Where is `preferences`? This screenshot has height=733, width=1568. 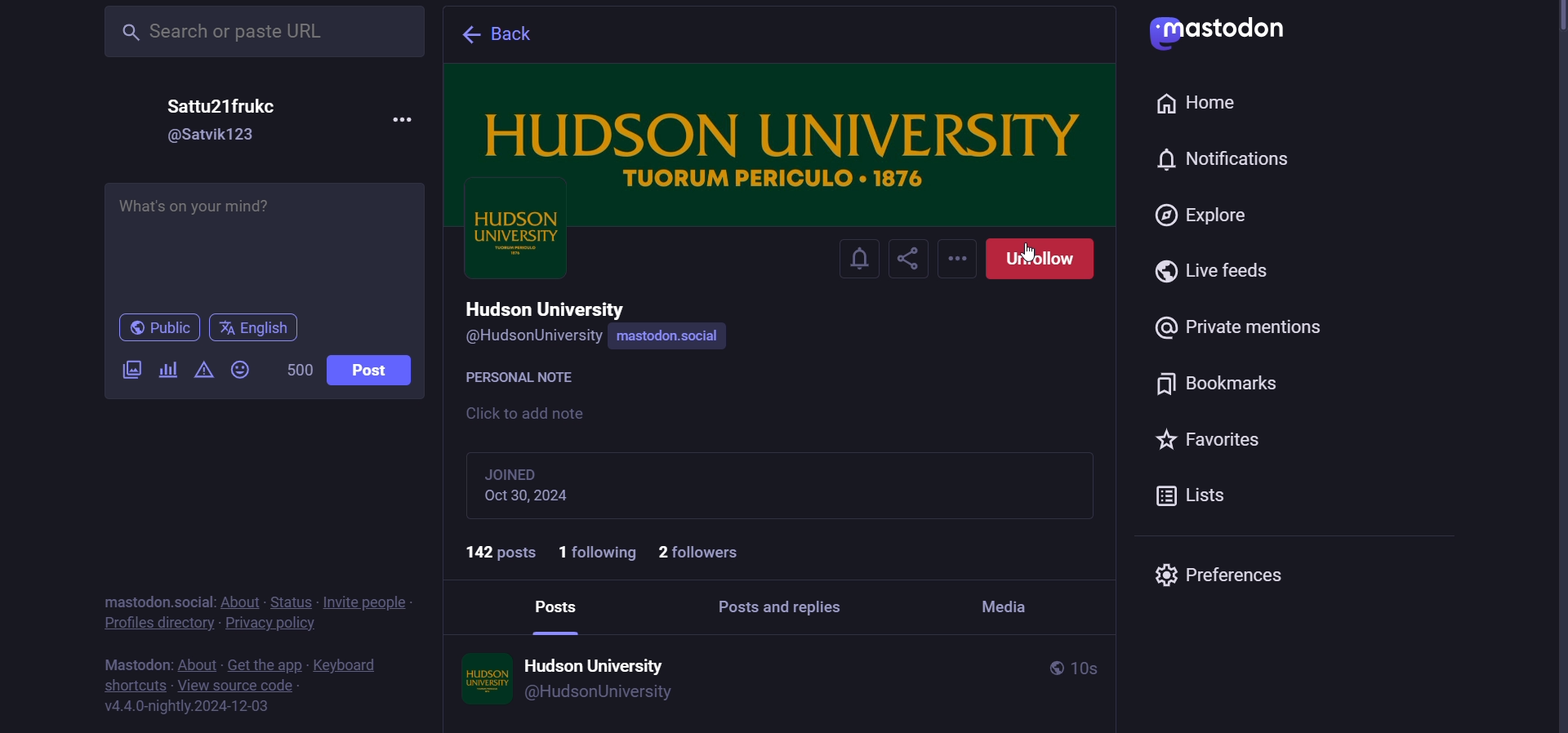
preferences is located at coordinates (1214, 571).